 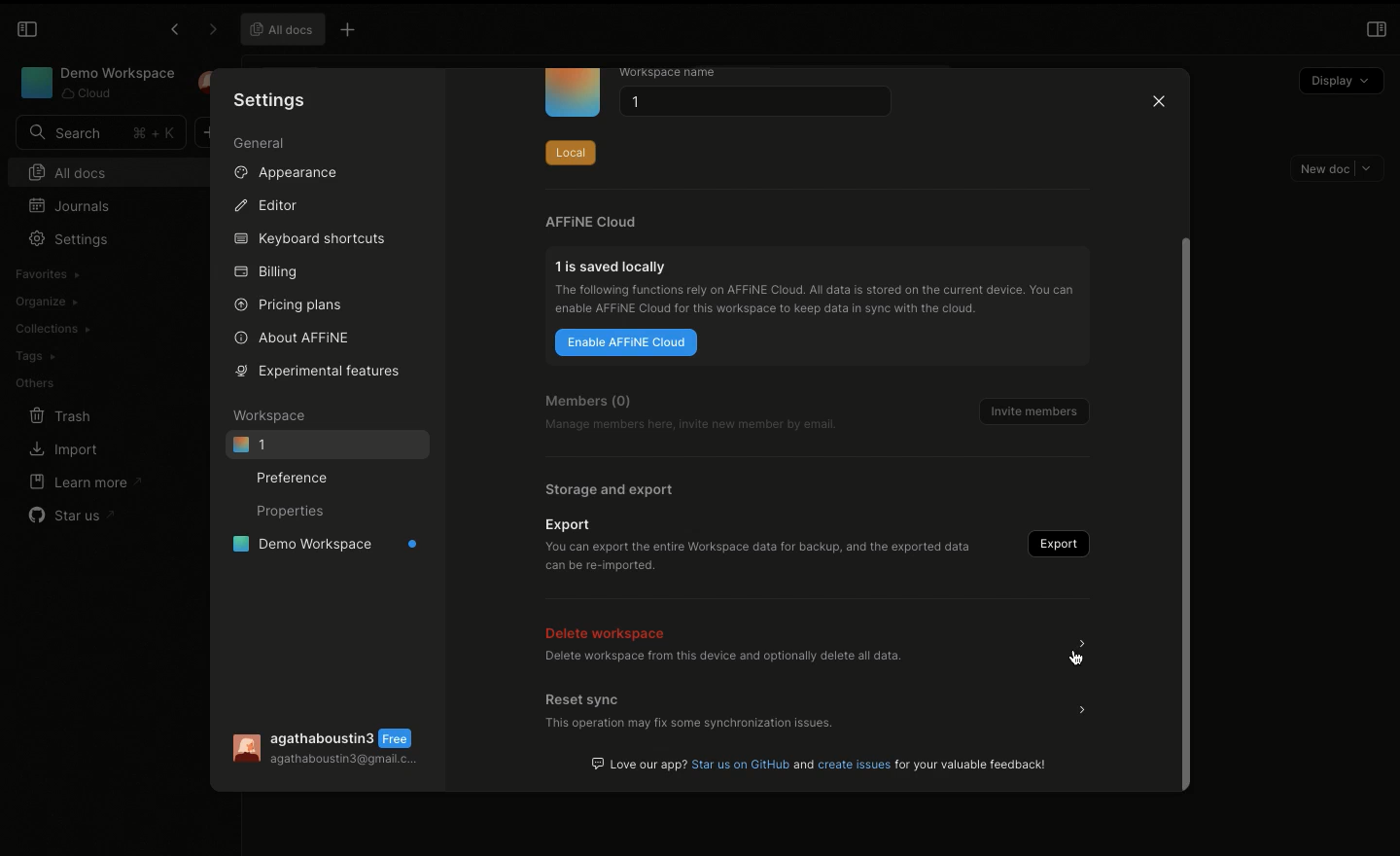 What do you see at coordinates (1157, 104) in the screenshot?
I see `Close` at bounding box center [1157, 104].